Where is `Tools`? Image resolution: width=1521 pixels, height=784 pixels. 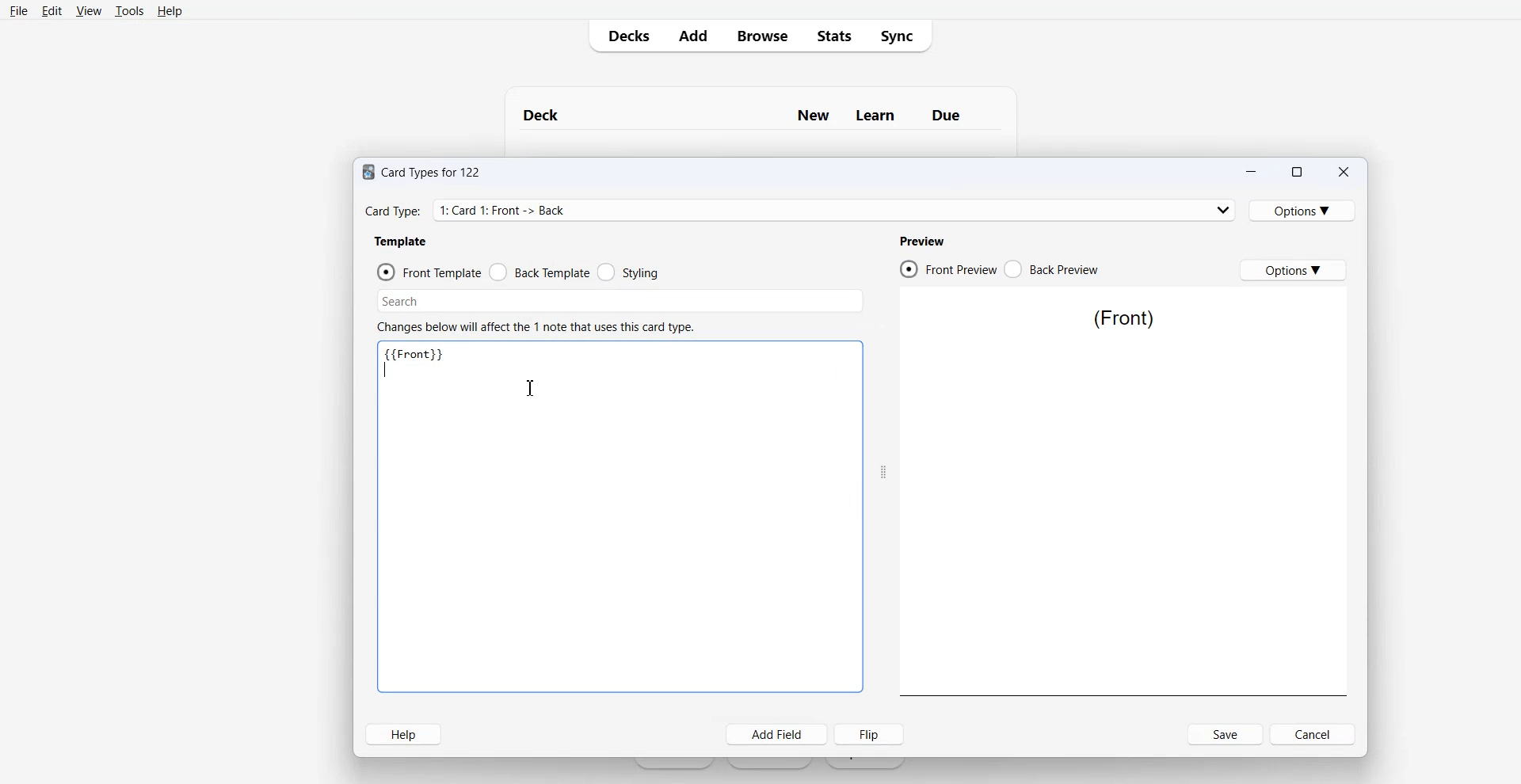
Tools is located at coordinates (130, 10).